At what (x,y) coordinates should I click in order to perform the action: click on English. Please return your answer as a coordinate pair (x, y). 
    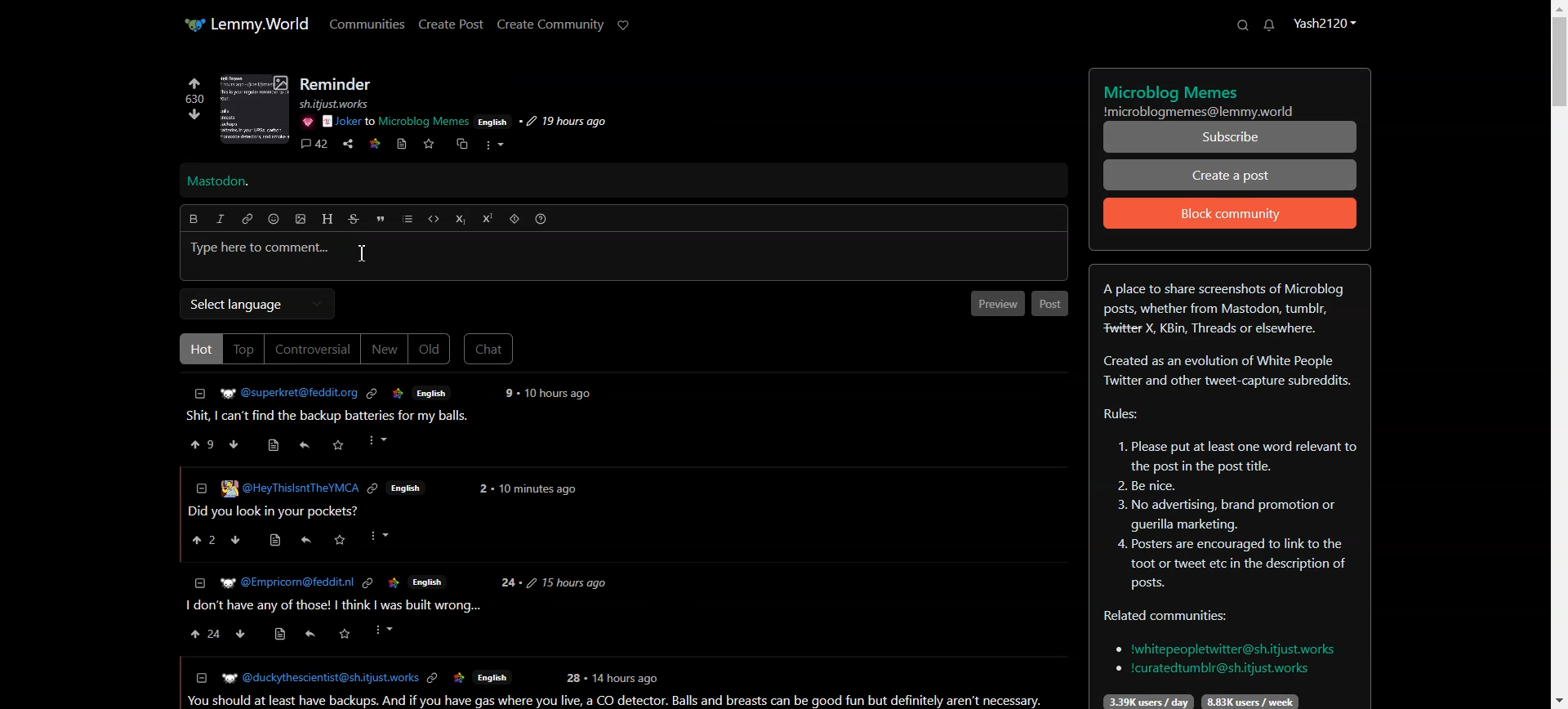
    Looking at the image, I should click on (432, 392).